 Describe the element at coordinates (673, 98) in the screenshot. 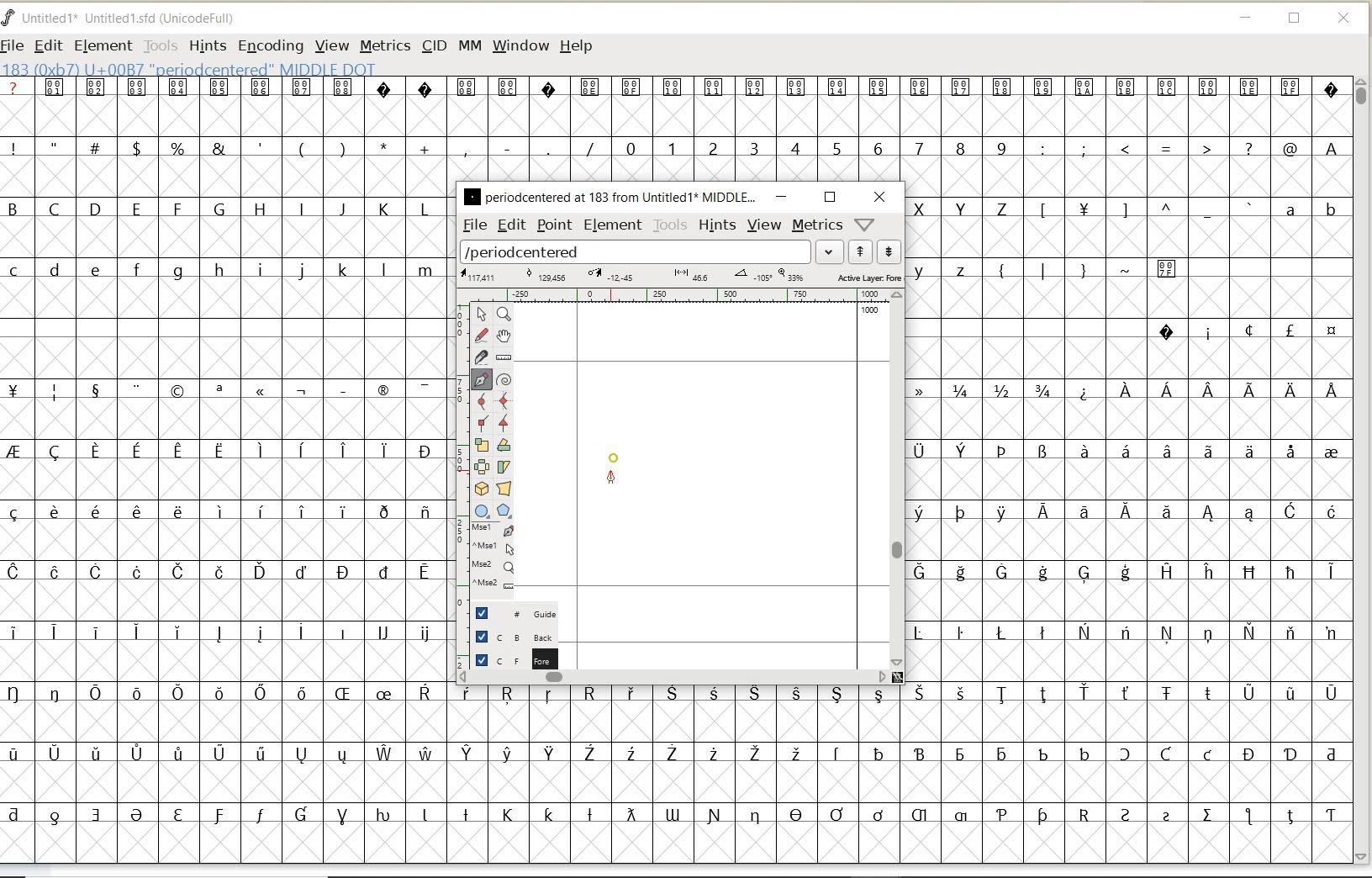

I see `special characters` at that location.